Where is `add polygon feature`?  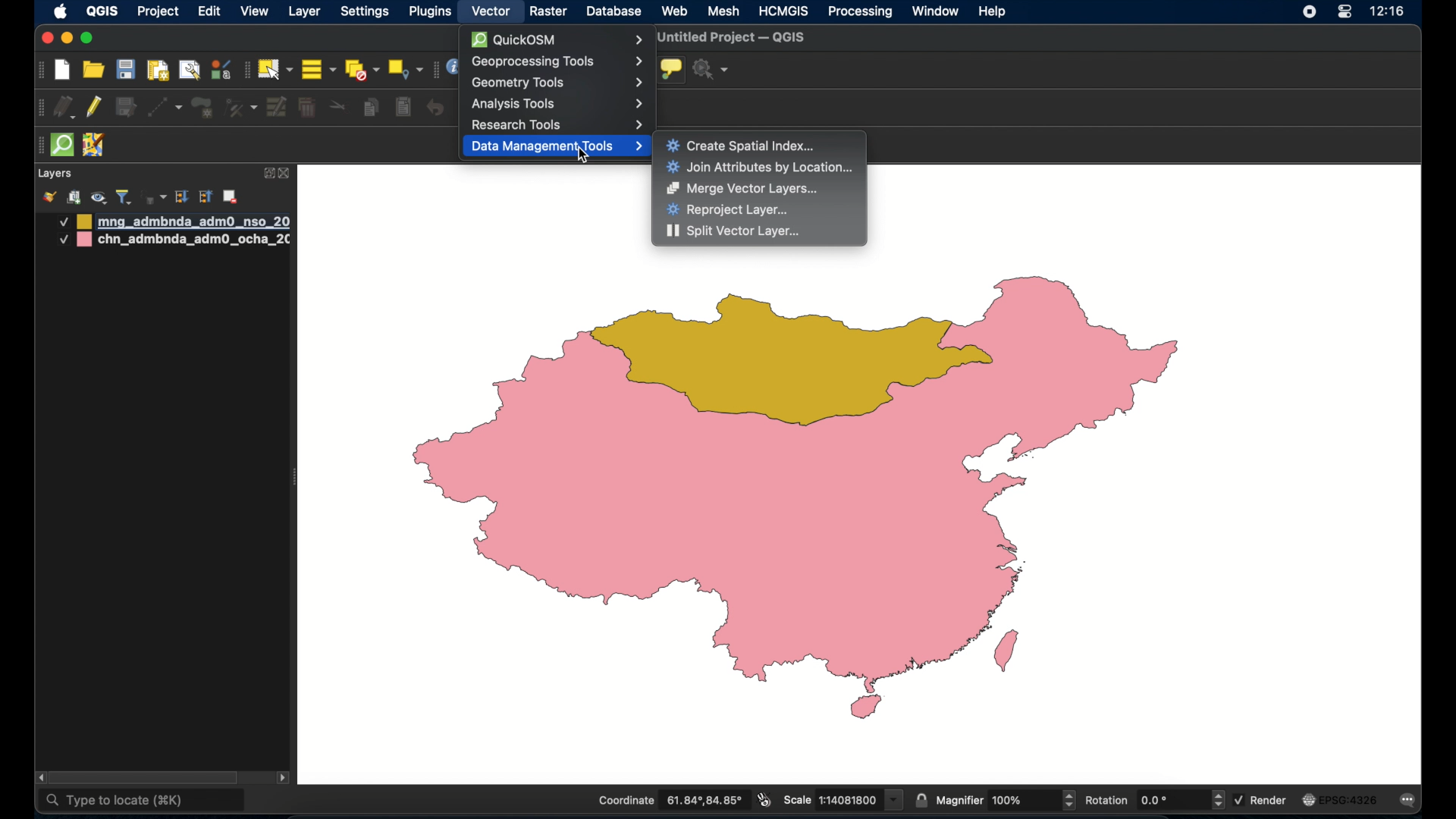 add polygon feature is located at coordinates (202, 108).